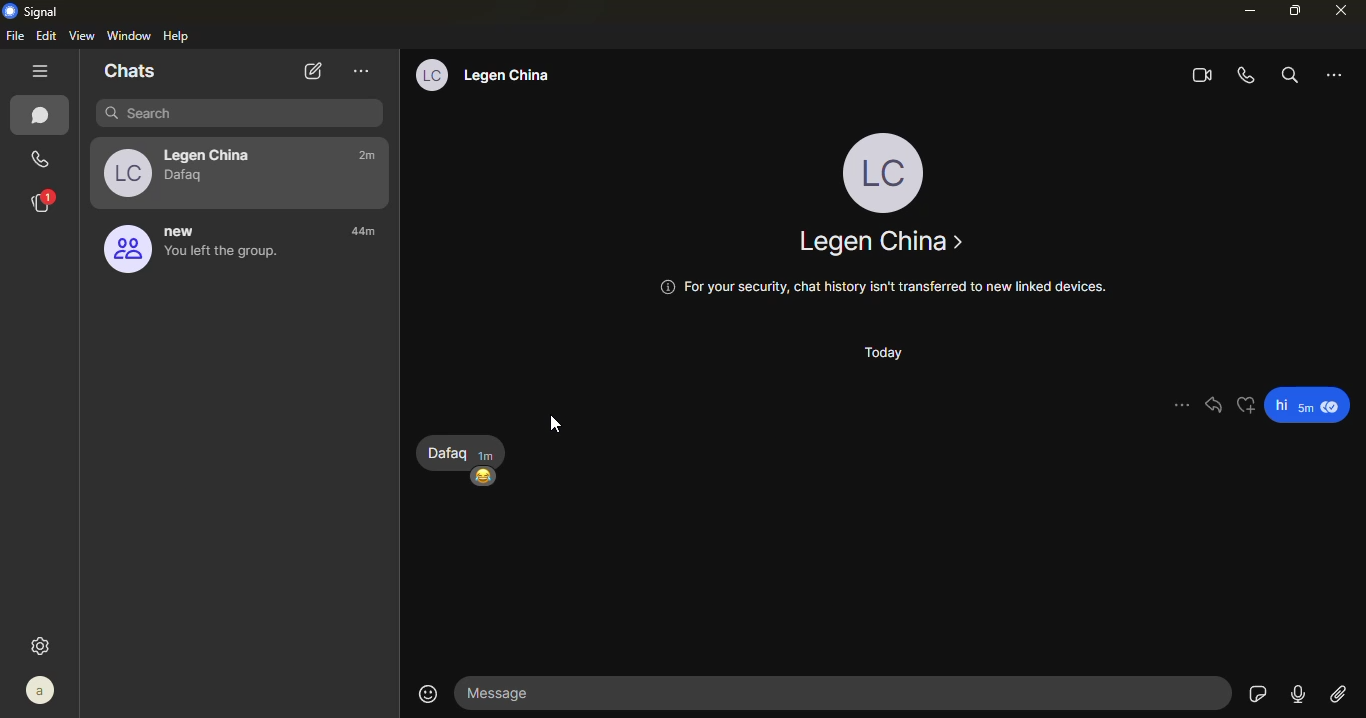 This screenshot has width=1366, height=718. What do you see at coordinates (1245, 401) in the screenshot?
I see `react` at bounding box center [1245, 401].